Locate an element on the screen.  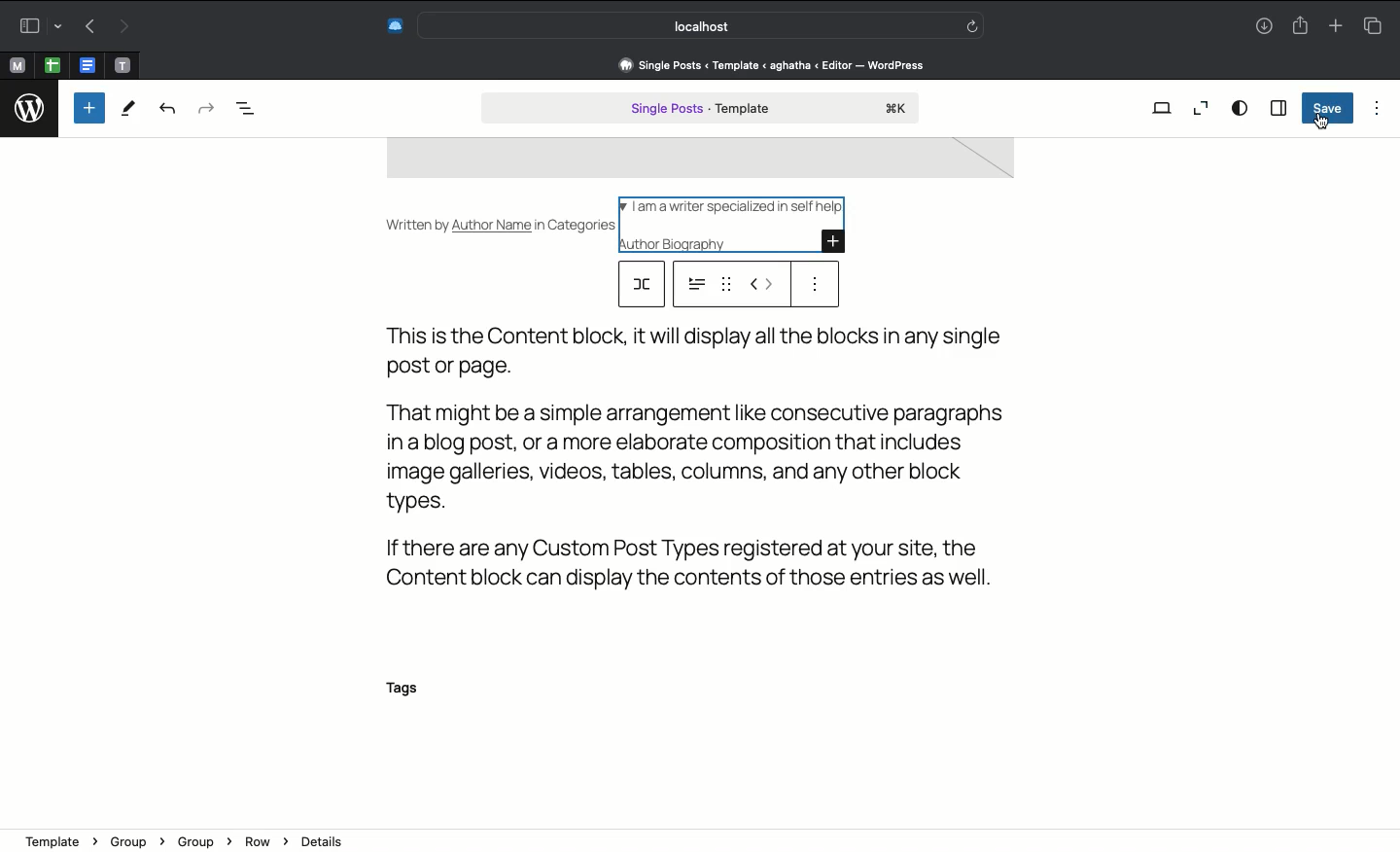
Single post template is located at coordinates (700, 110).